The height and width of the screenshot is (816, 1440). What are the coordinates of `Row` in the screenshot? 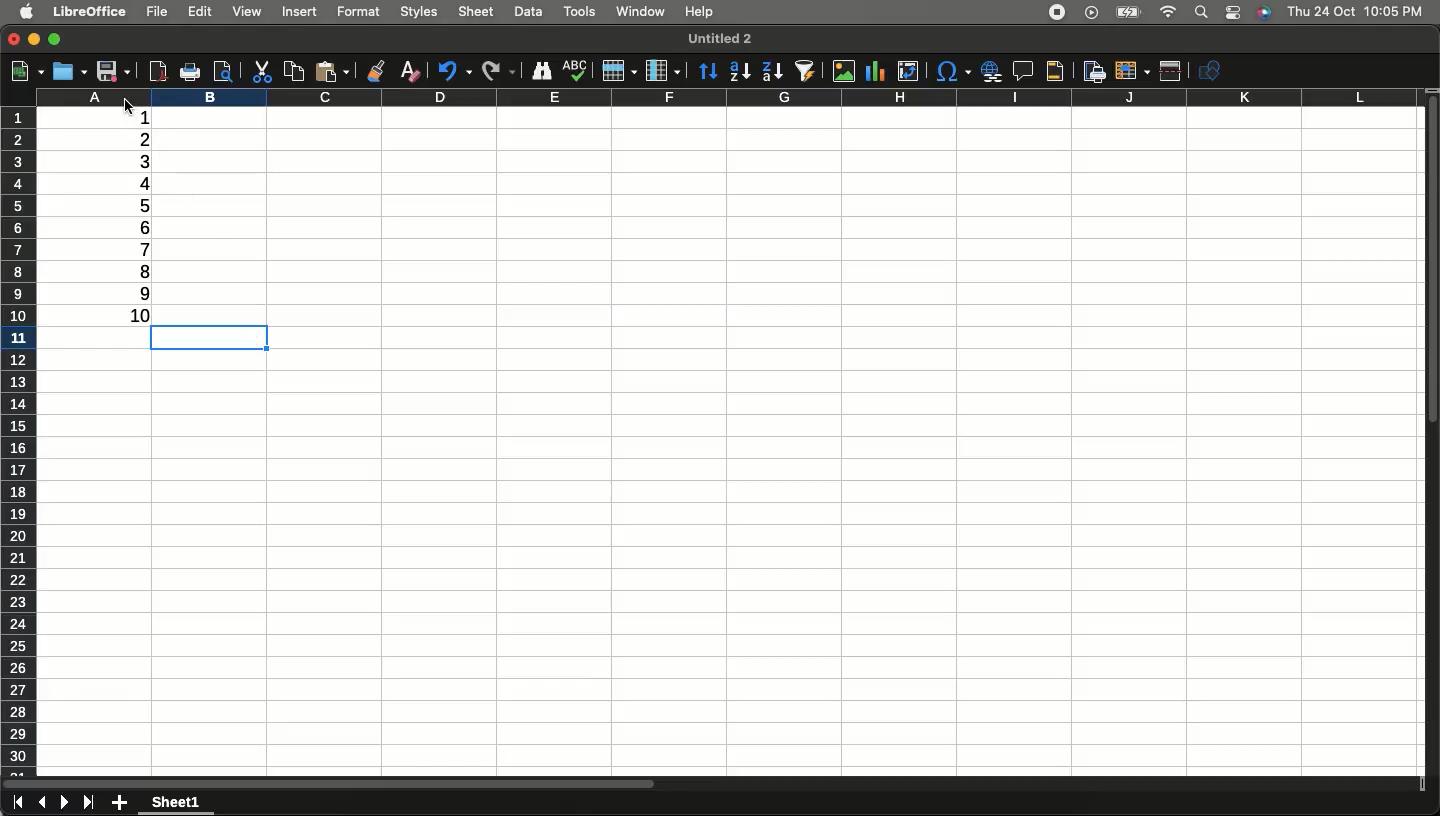 It's located at (619, 70).